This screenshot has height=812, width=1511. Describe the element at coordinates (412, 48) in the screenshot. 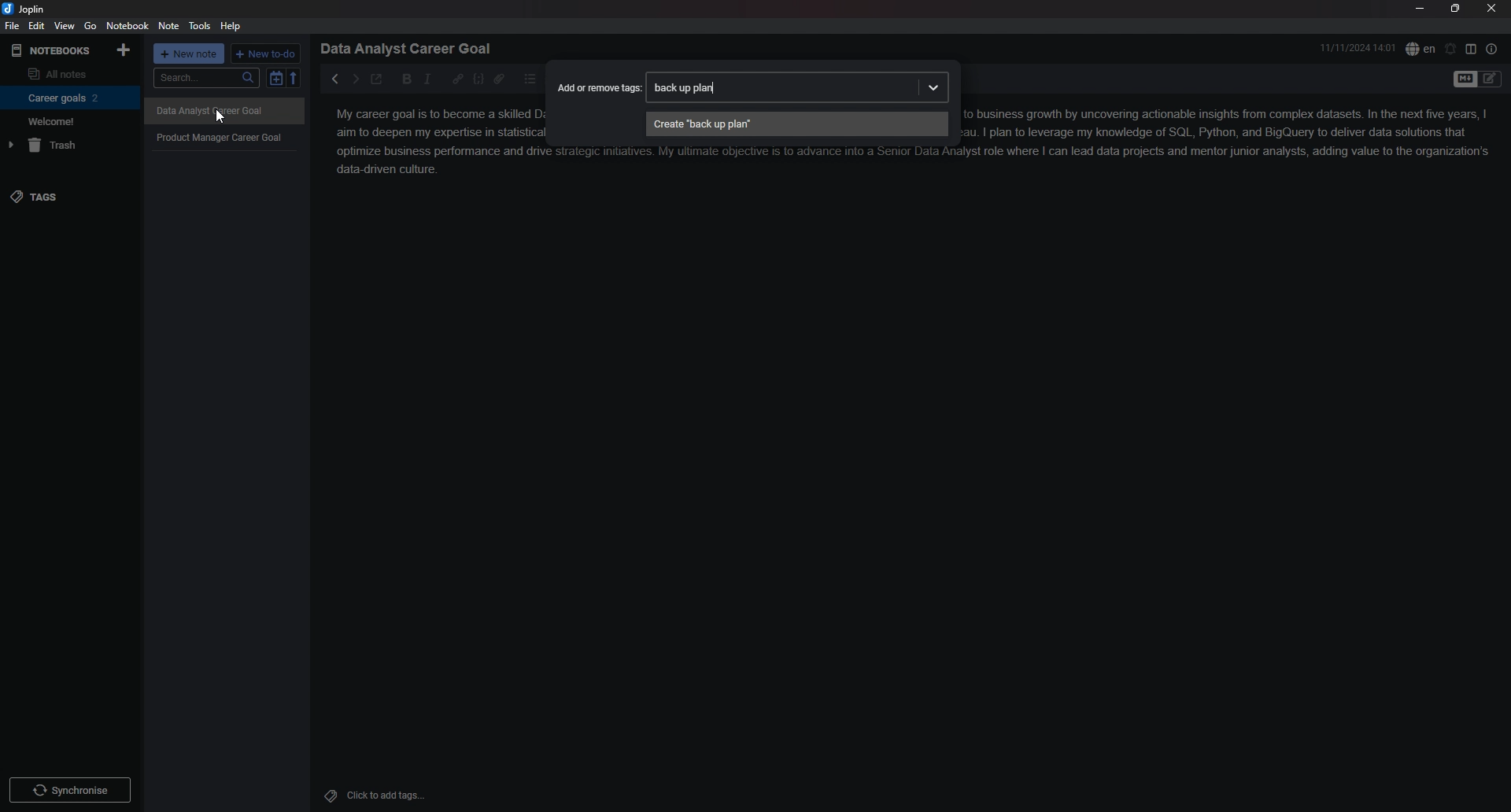

I see `Data Analyst Career Goal` at that location.